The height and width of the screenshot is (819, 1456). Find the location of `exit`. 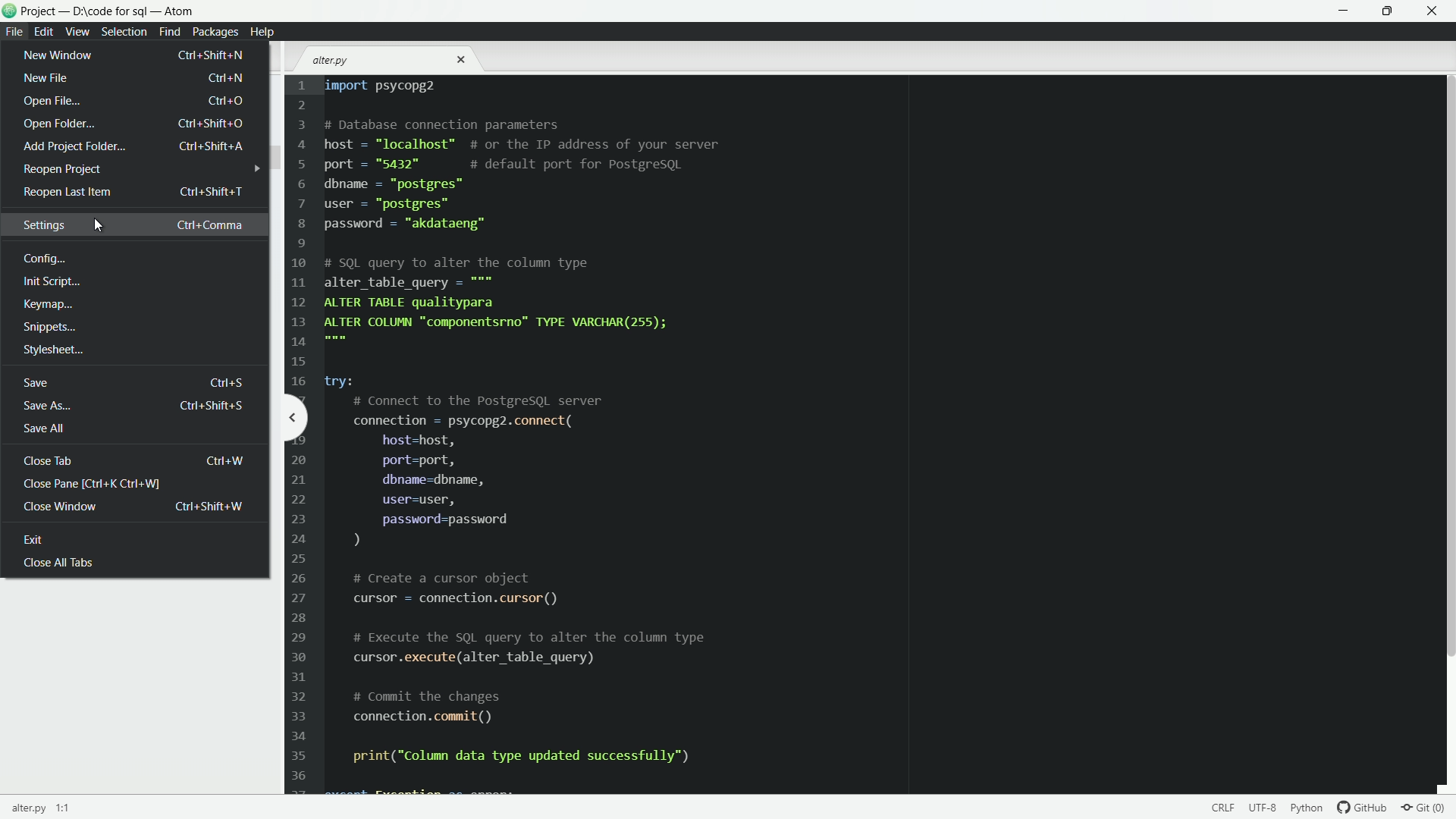

exit is located at coordinates (52, 541).